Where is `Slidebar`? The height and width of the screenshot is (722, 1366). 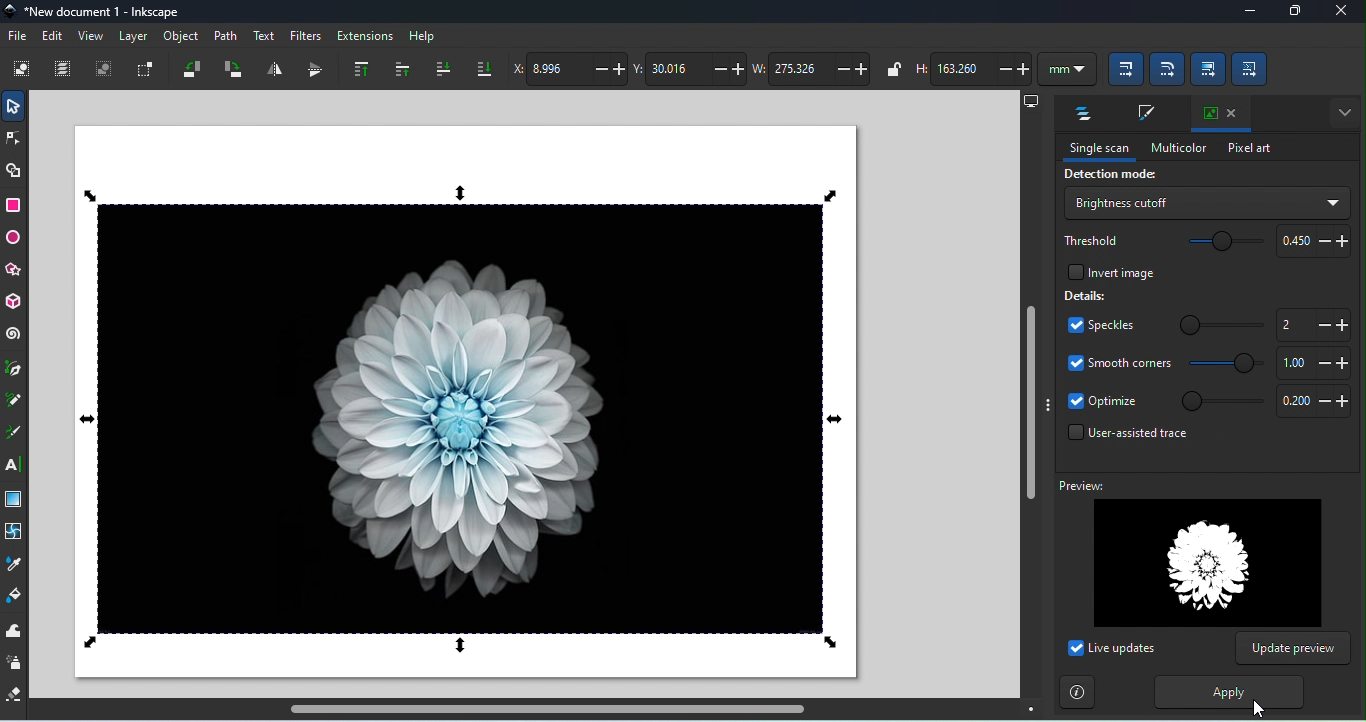 Slidebar is located at coordinates (1222, 403).